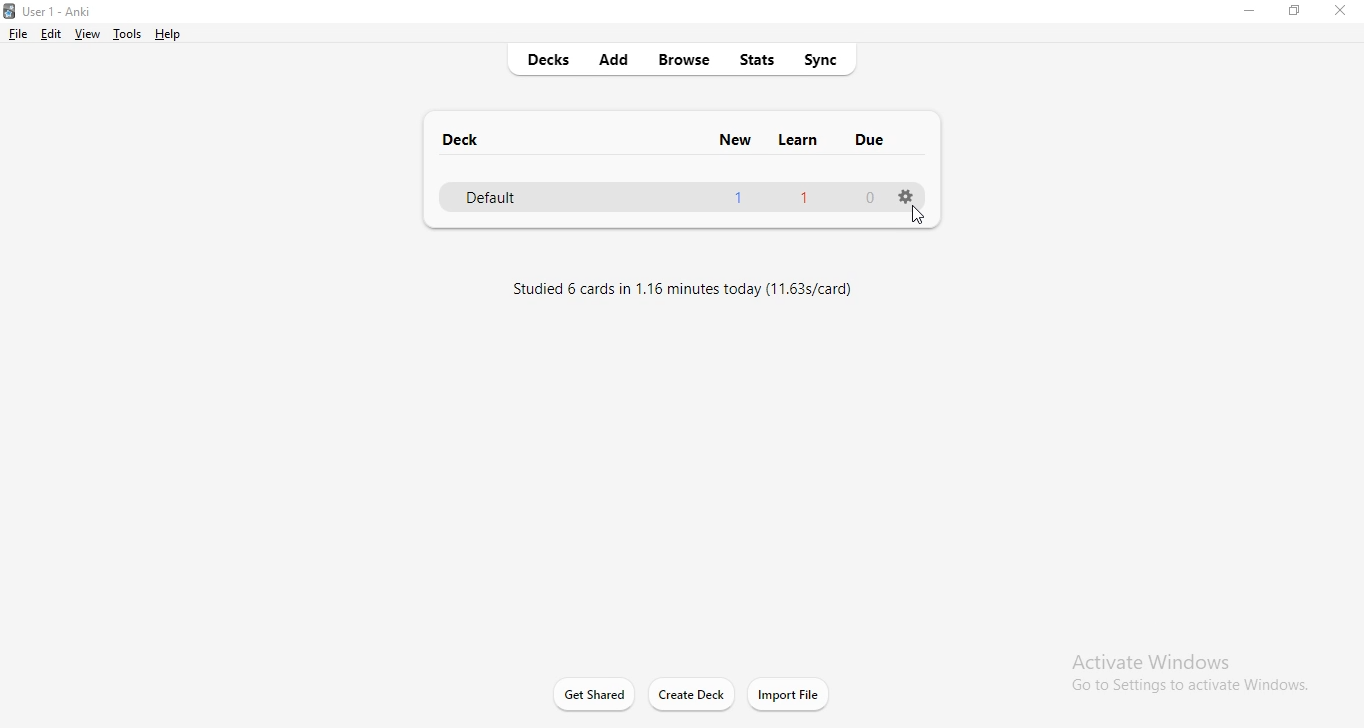  Describe the element at coordinates (905, 194) in the screenshot. I see `settings` at that location.